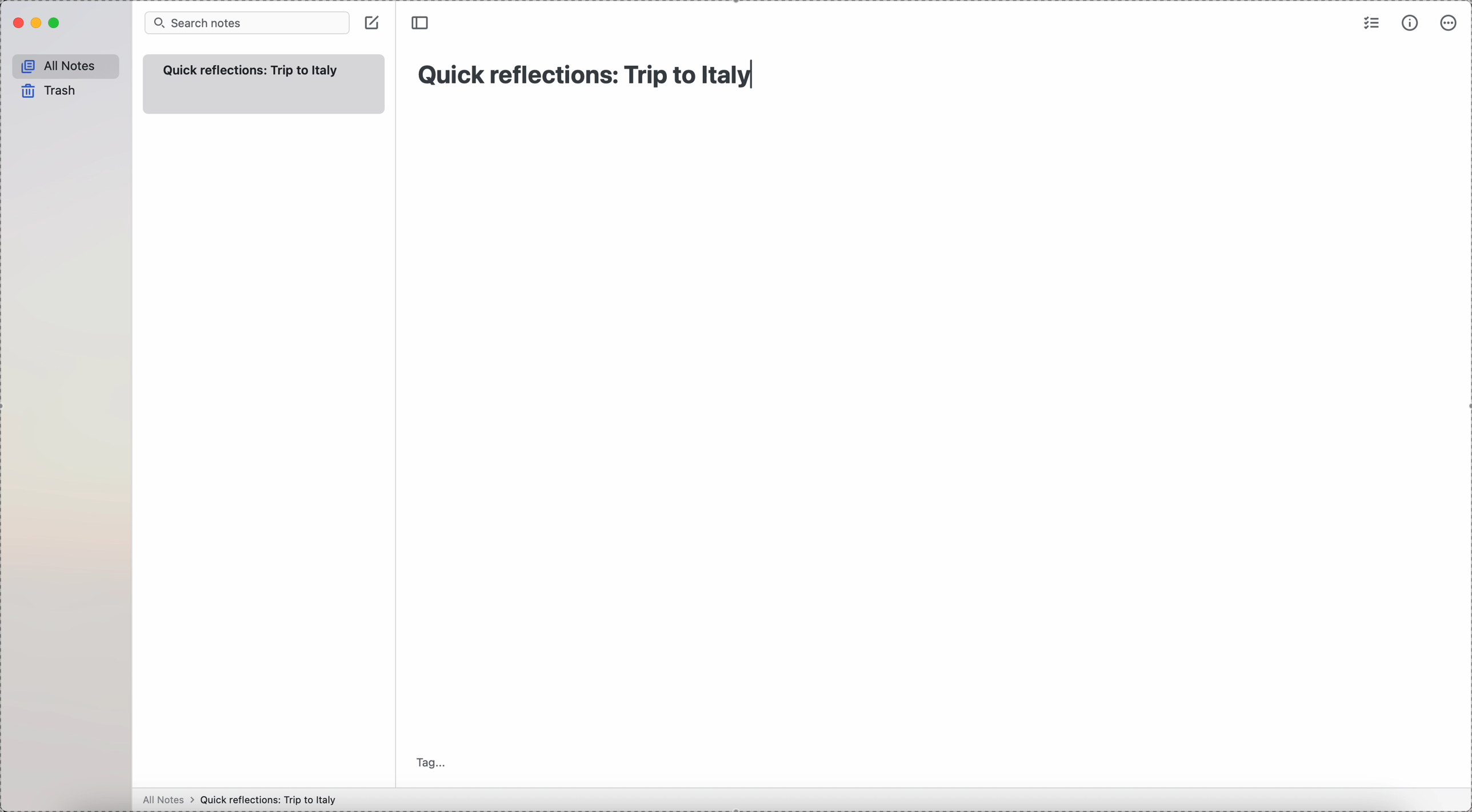 This screenshot has height=812, width=1472. I want to click on title, so click(253, 70).